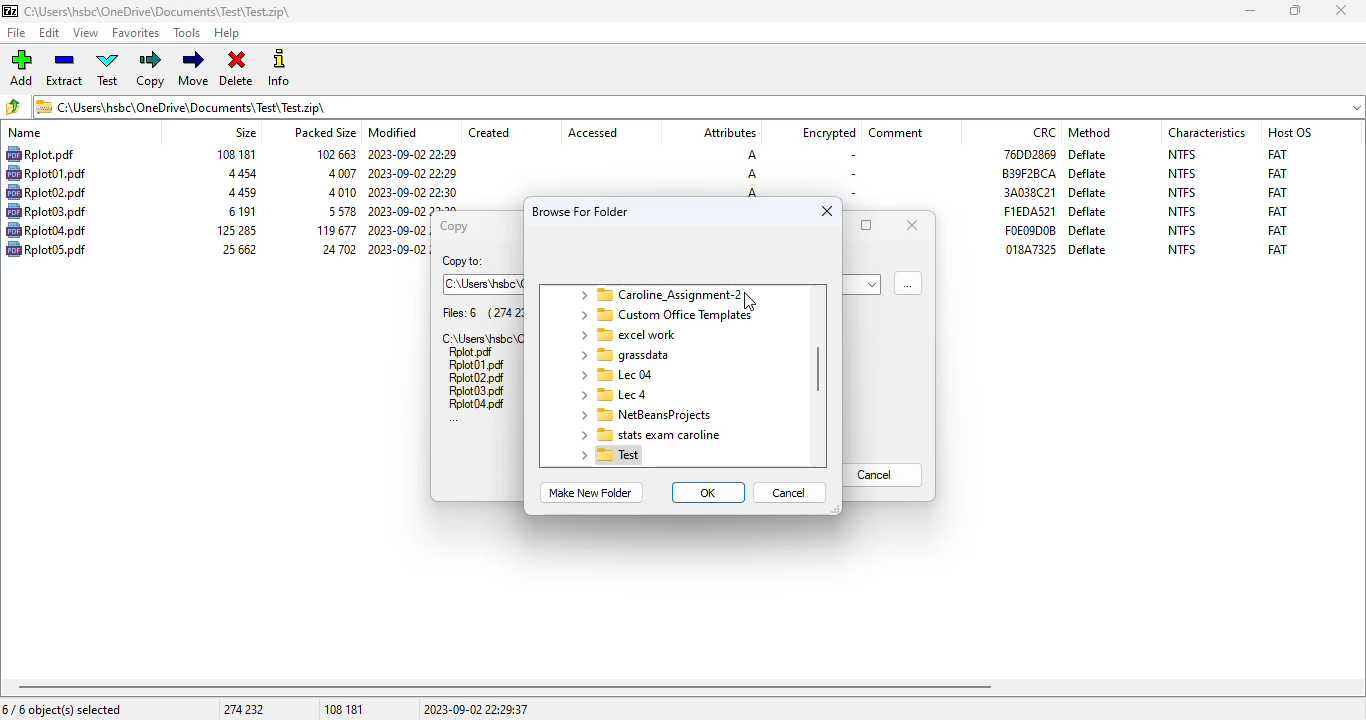 This screenshot has height=720, width=1366. I want to click on A, so click(752, 174).